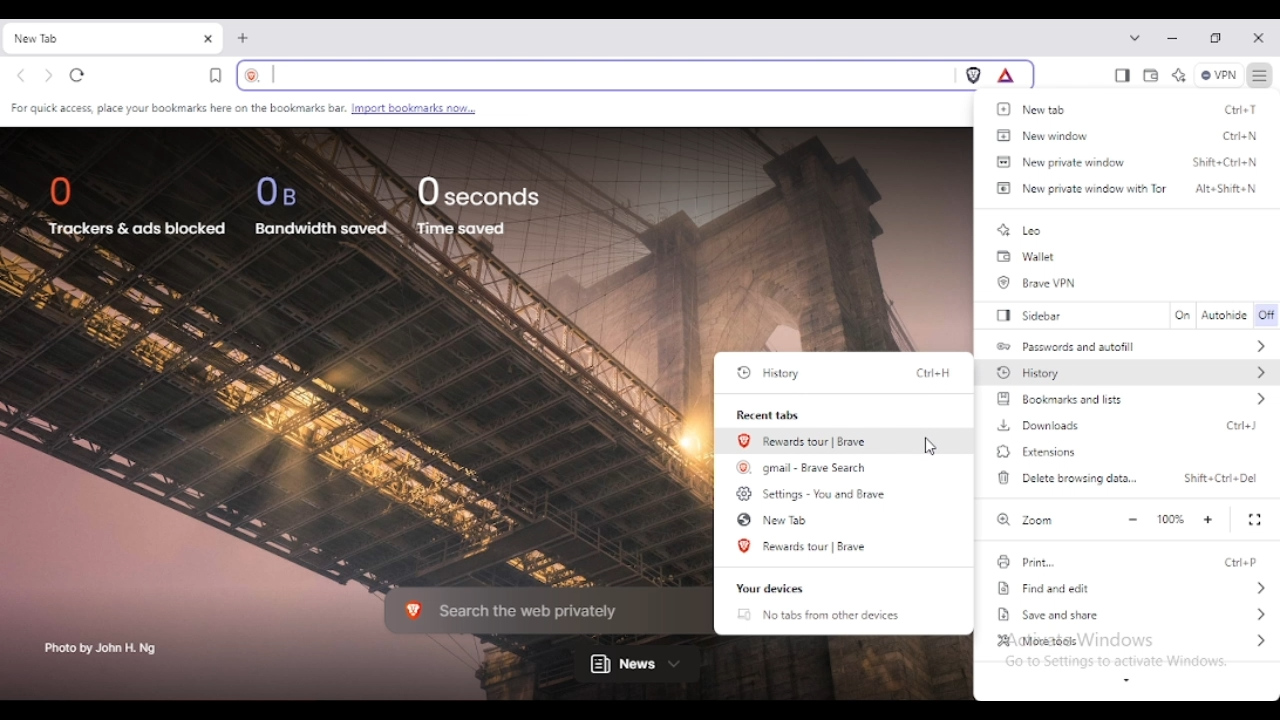 This screenshot has width=1280, height=720. What do you see at coordinates (1226, 188) in the screenshot?
I see `shortcut for new window with Tor` at bounding box center [1226, 188].